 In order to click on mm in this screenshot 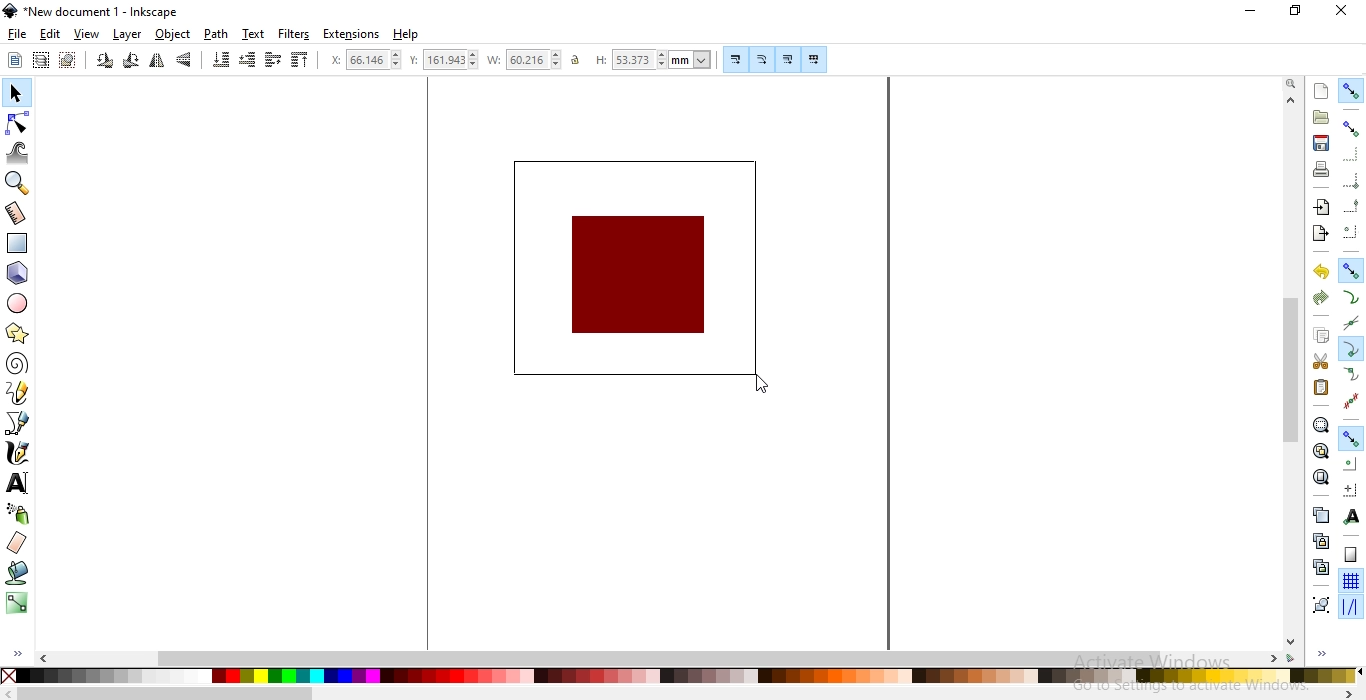, I will do `click(692, 59)`.